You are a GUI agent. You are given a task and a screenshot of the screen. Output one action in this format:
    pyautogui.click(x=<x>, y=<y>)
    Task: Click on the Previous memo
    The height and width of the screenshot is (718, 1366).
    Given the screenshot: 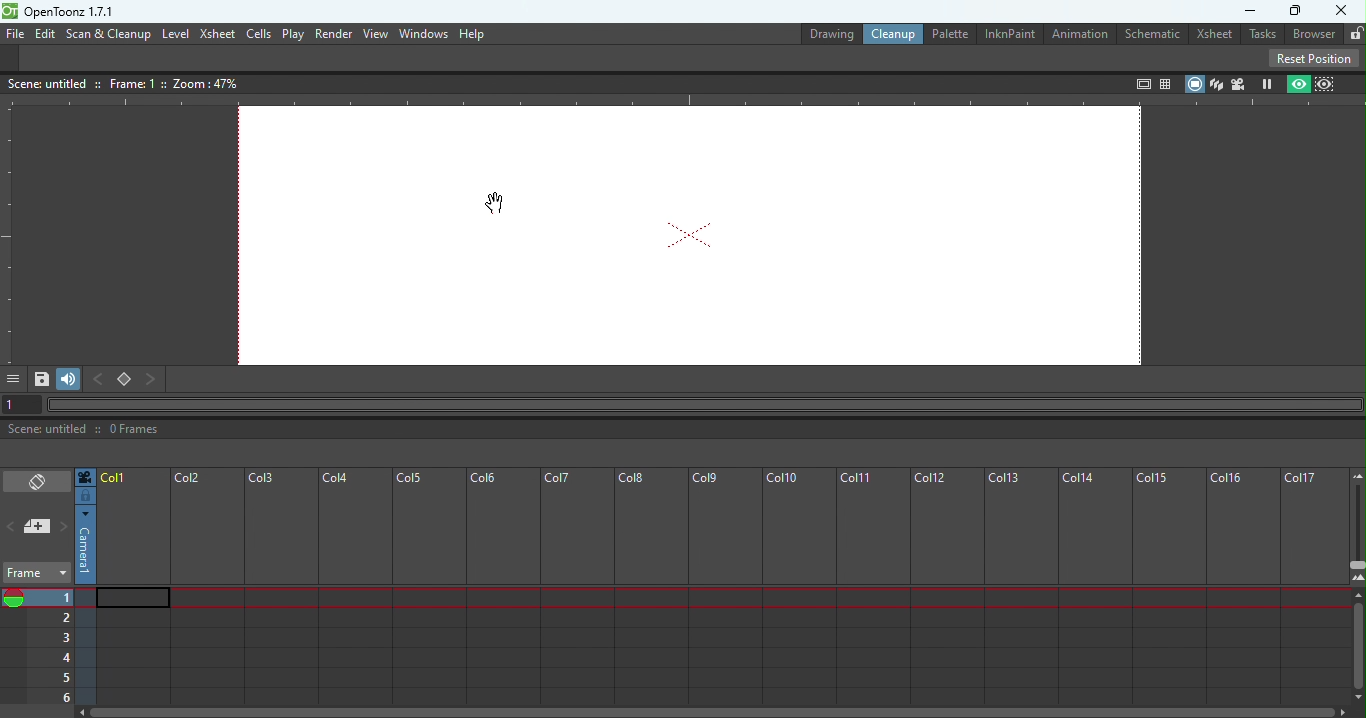 What is the action you would take?
    pyautogui.click(x=12, y=519)
    